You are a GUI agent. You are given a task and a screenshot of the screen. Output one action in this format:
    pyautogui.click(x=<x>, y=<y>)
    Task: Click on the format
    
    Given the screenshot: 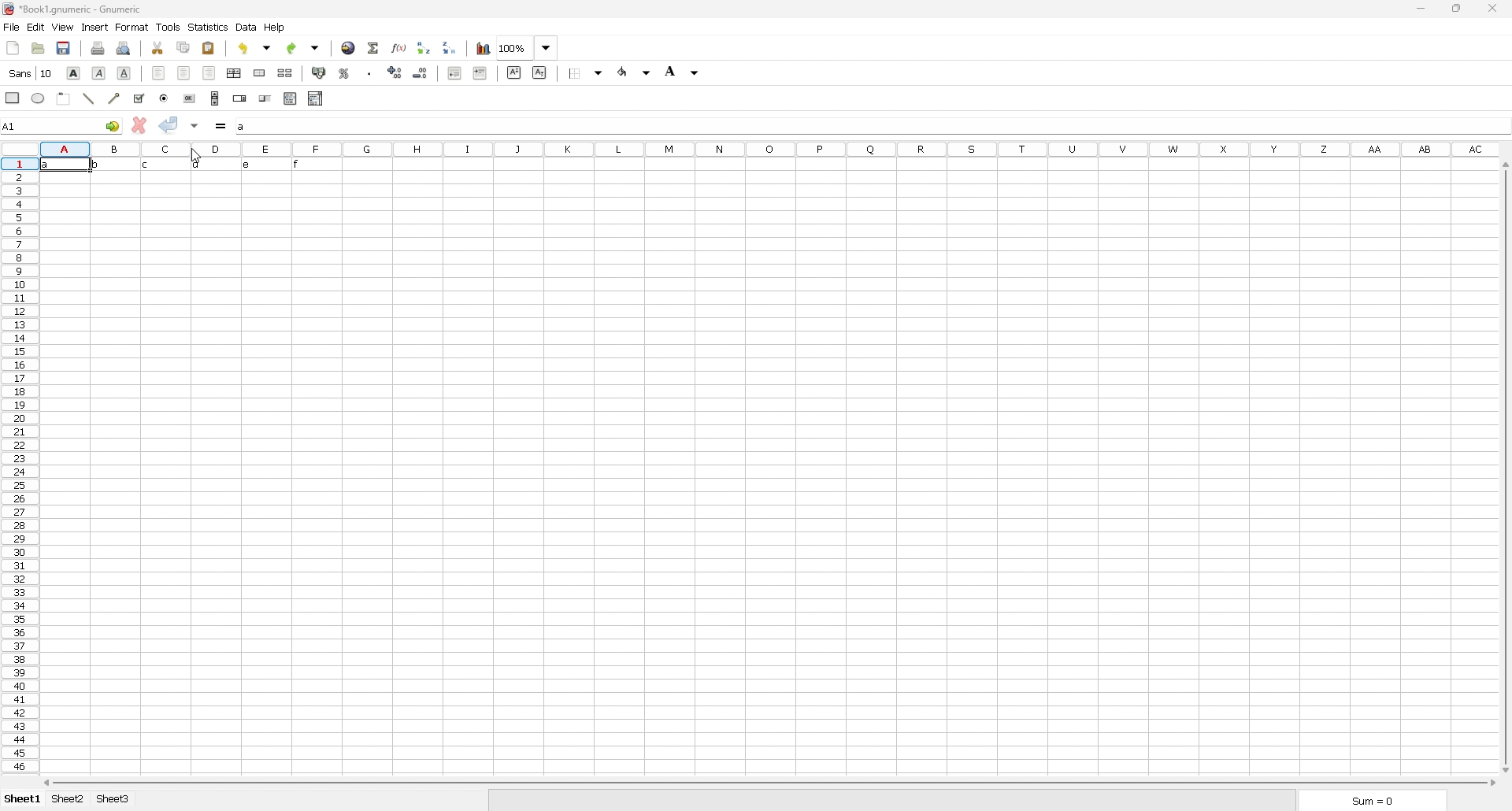 What is the action you would take?
    pyautogui.click(x=132, y=27)
    